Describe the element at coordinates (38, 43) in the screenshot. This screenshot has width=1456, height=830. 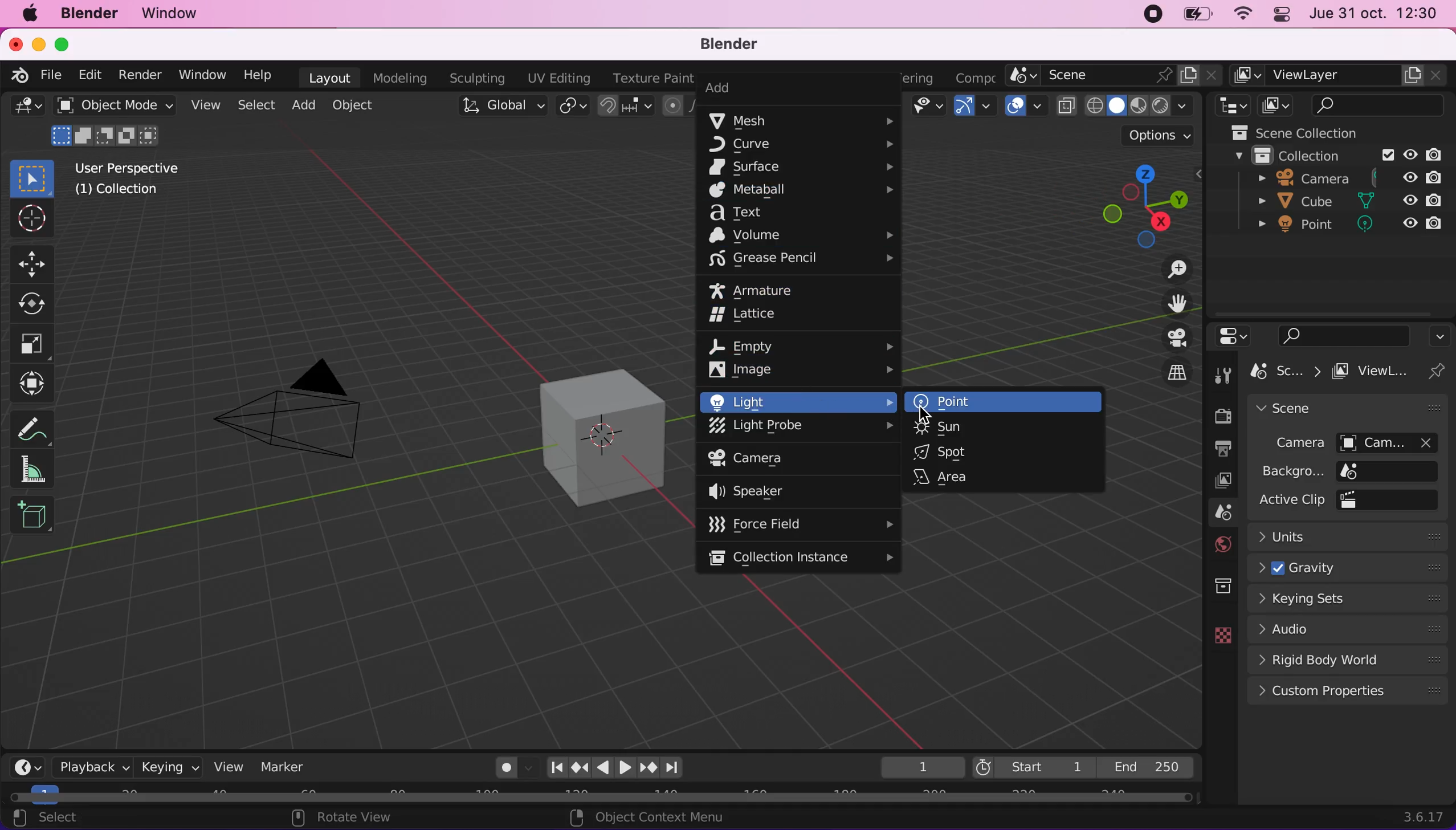
I see `minimize` at that location.